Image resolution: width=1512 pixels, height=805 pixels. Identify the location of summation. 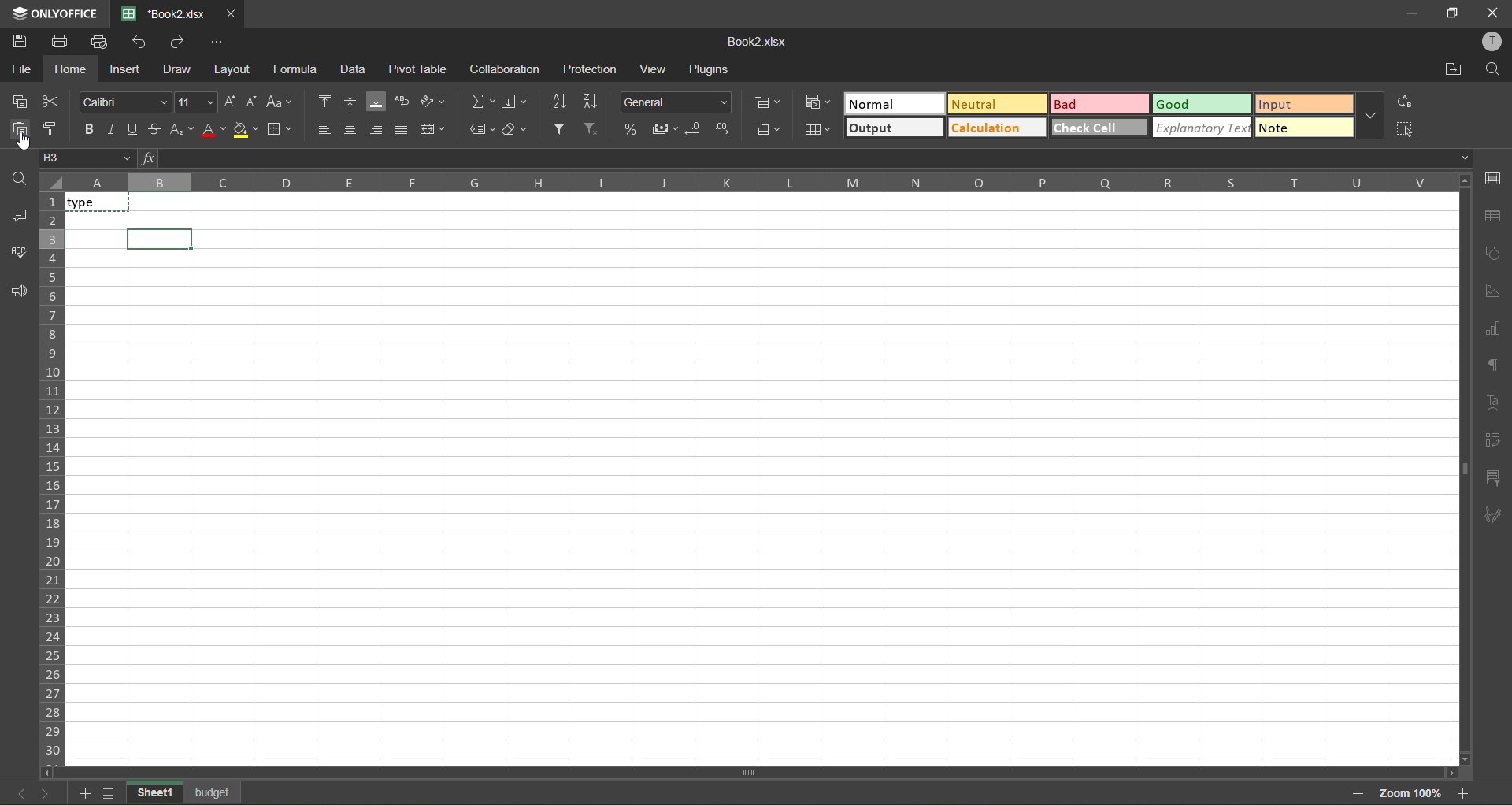
(481, 98).